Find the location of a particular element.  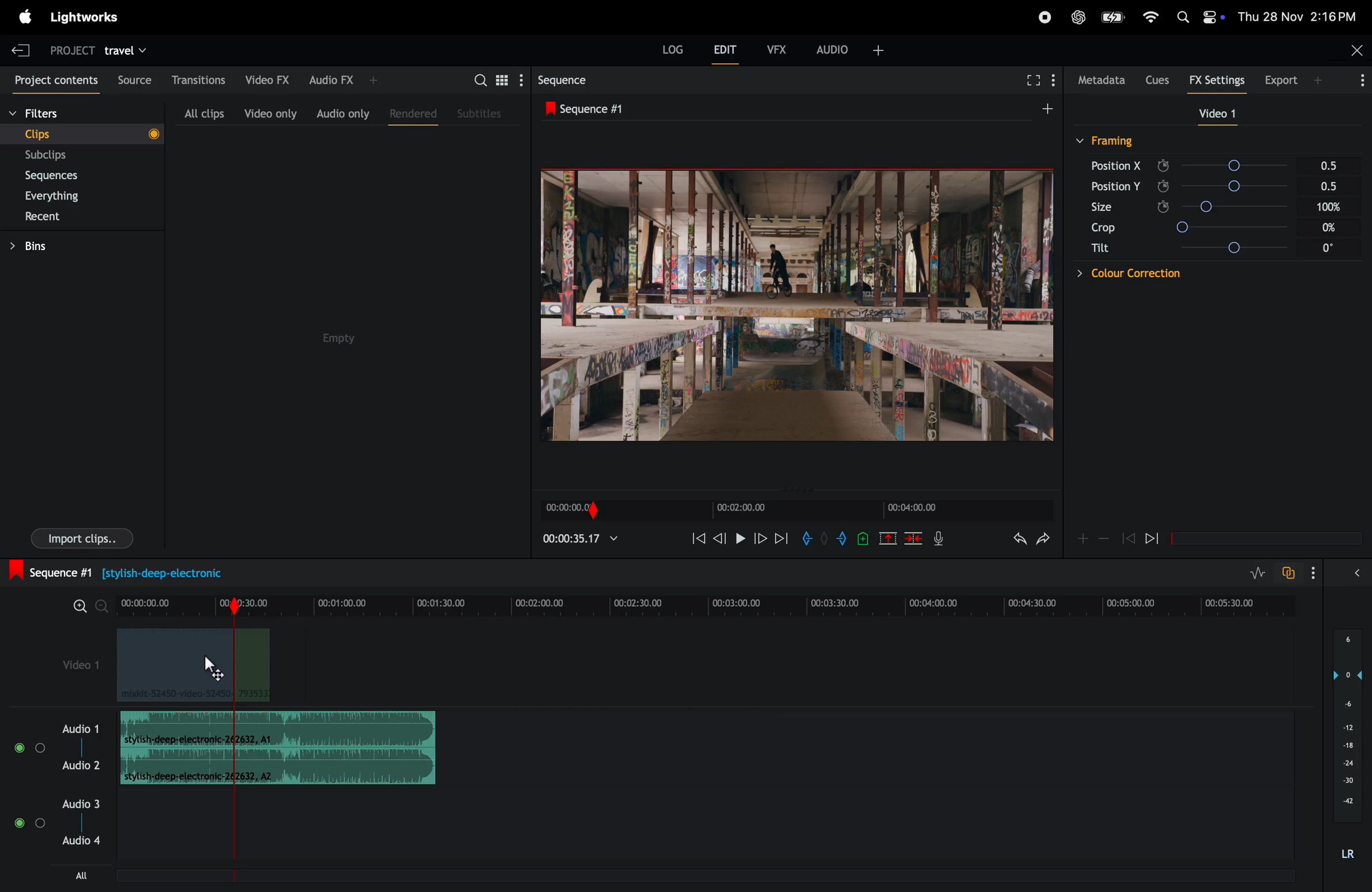

forward is located at coordinates (781, 538).